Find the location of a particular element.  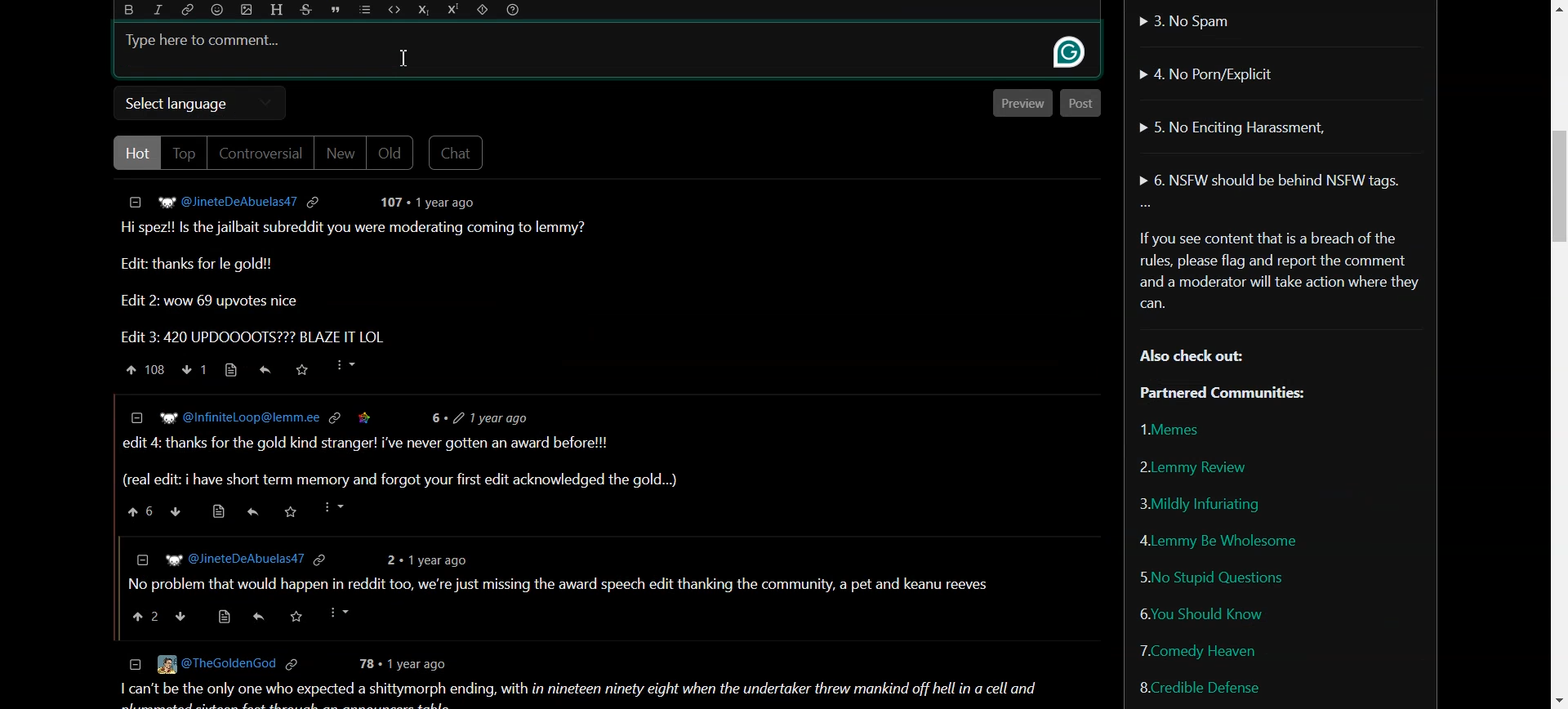

6+ 2 1vear ago is located at coordinates (493, 417).